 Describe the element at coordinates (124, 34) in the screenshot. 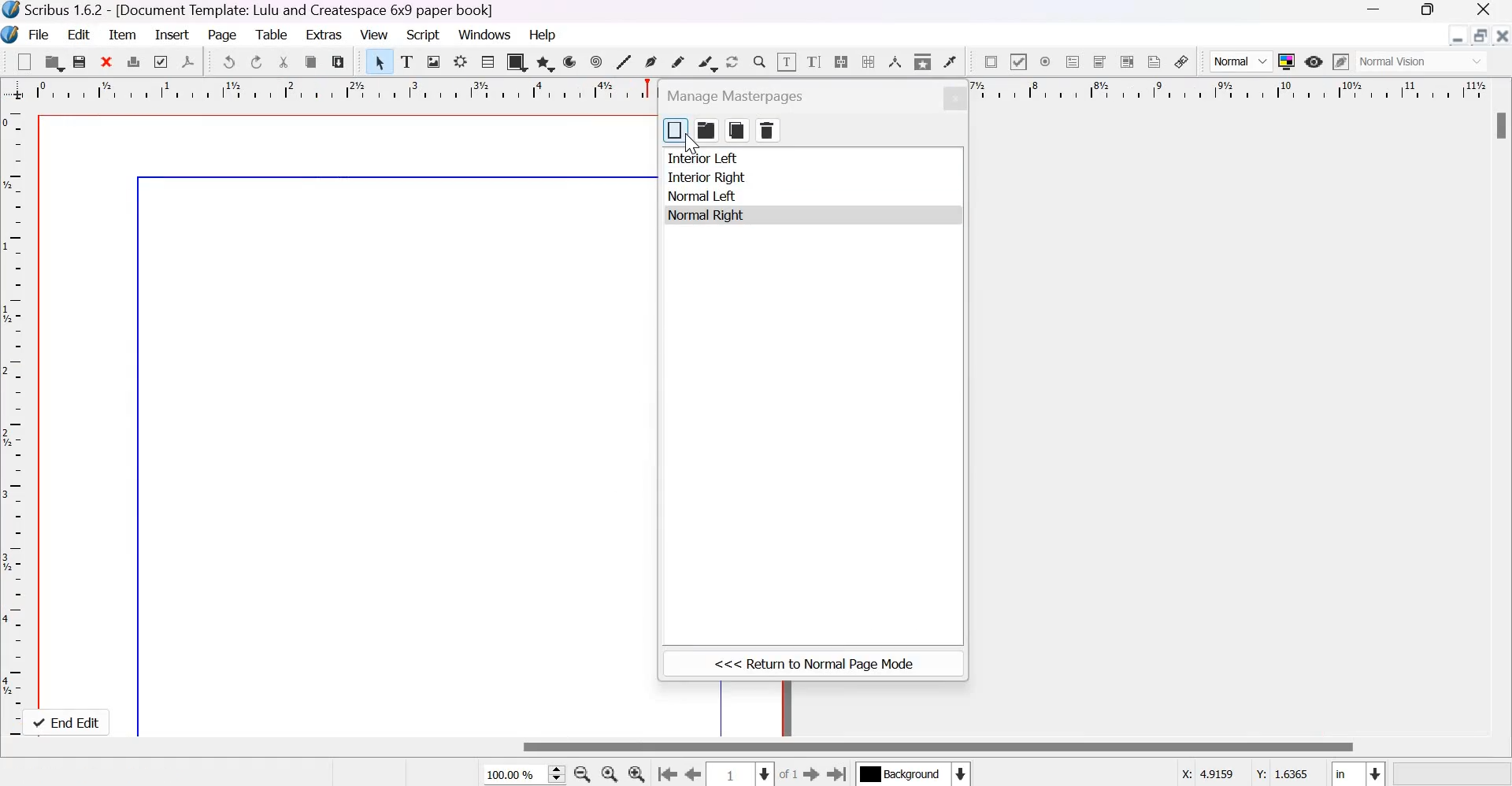

I see `Item` at that location.